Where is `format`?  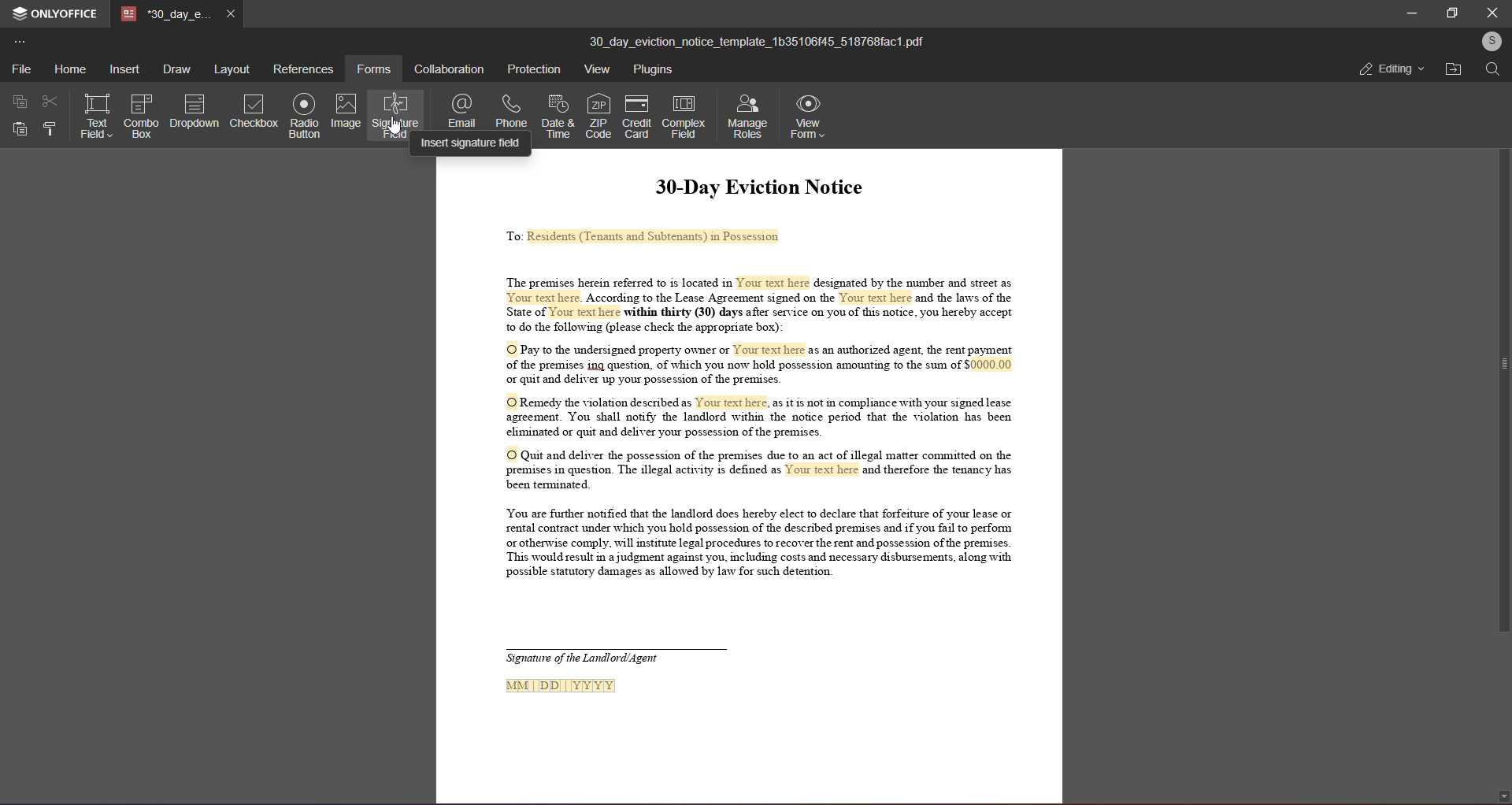
format is located at coordinates (50, 130).